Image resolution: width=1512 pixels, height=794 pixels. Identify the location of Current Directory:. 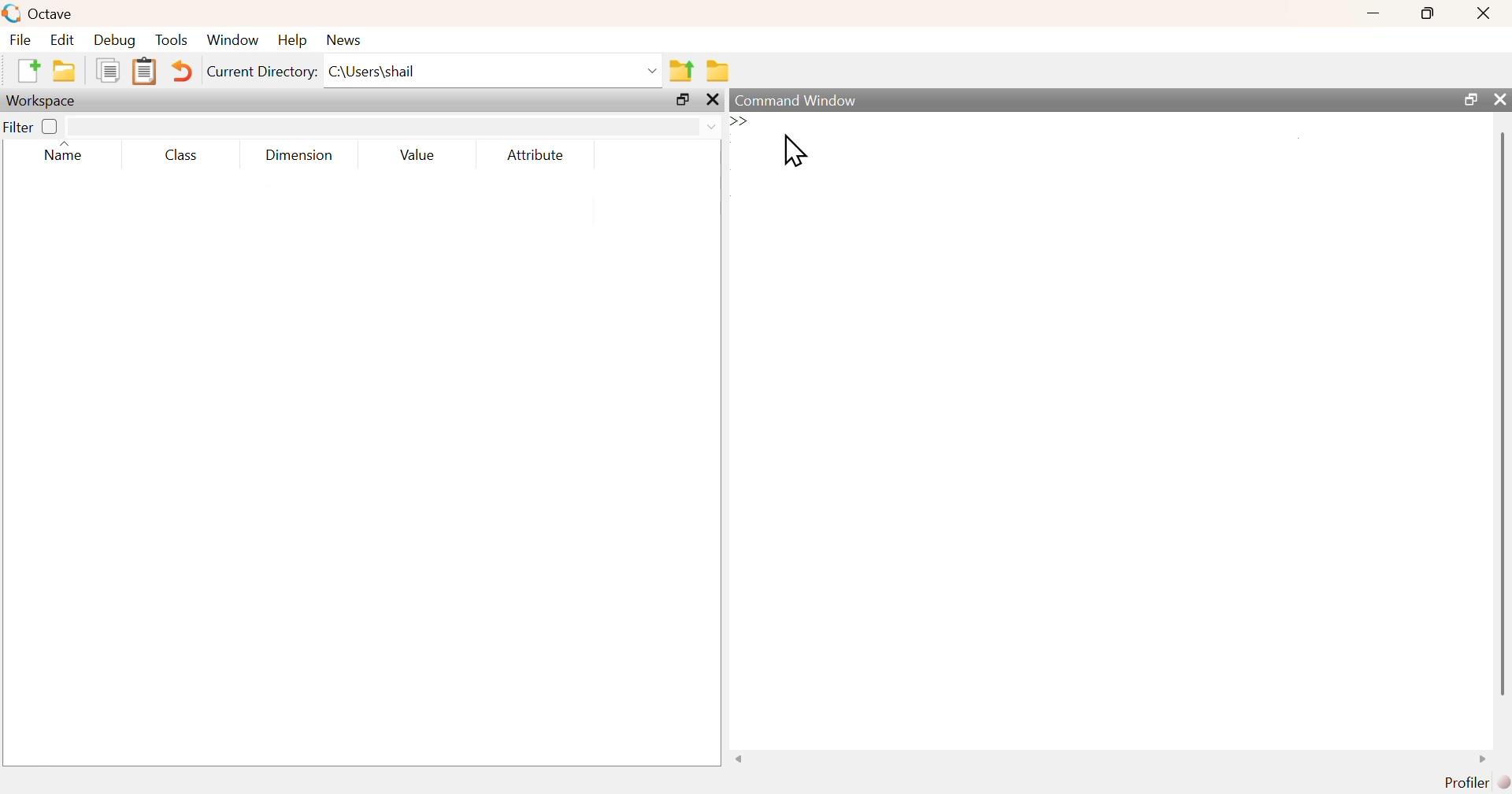
(261, 72).